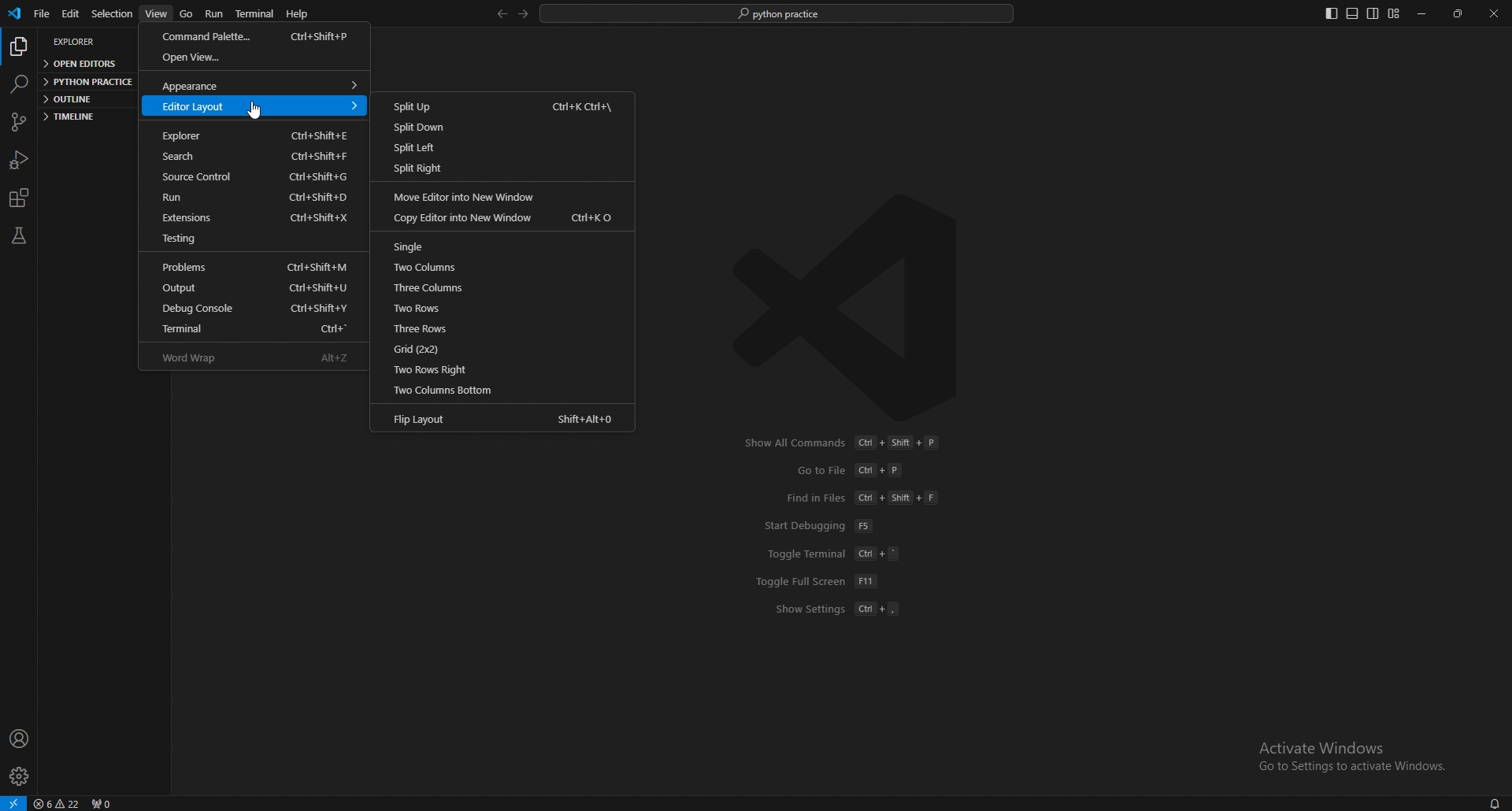  I want to click on explorer, so click(80, 42).